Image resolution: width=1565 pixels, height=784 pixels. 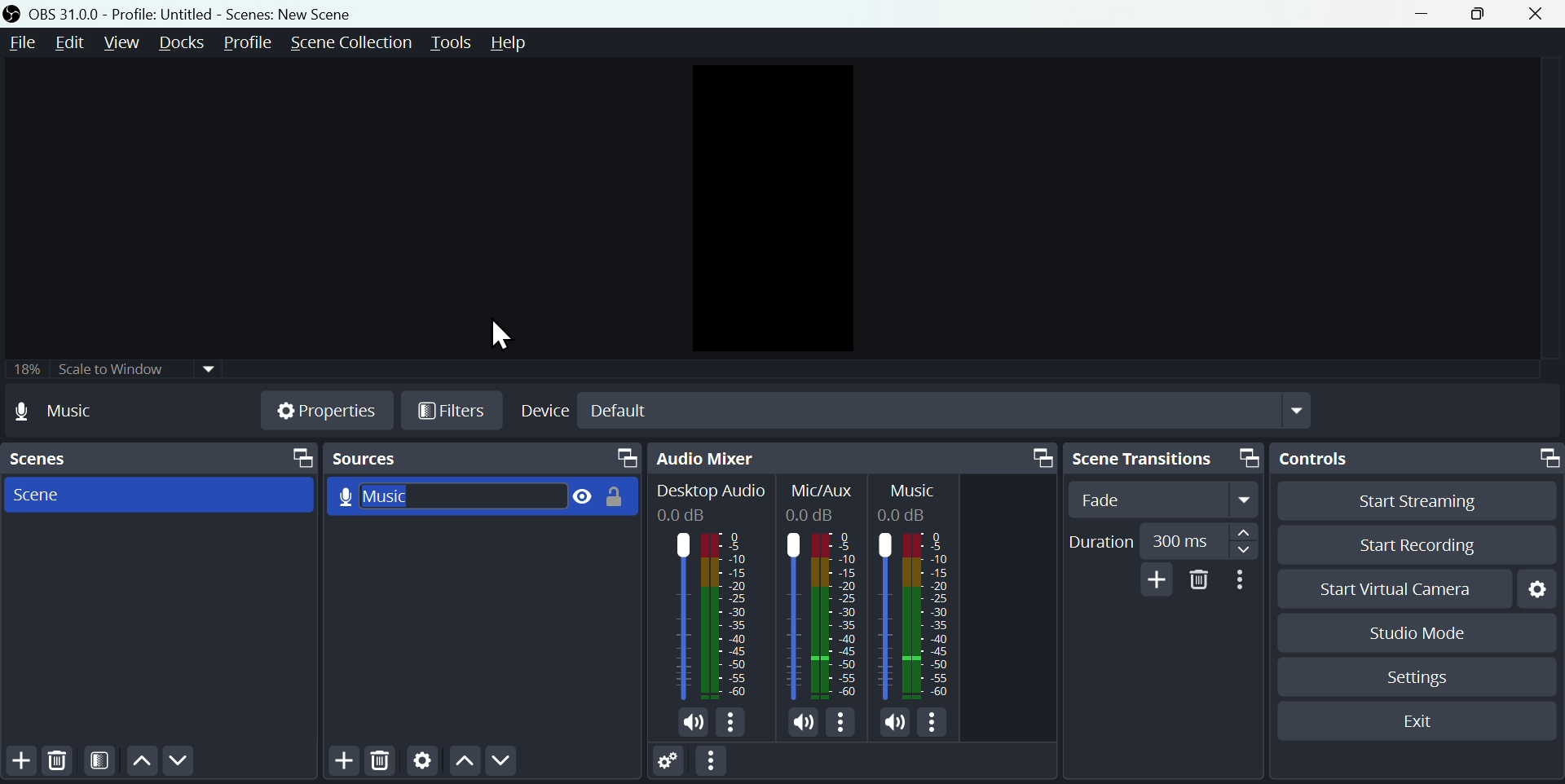 I want to click on close, so click(x=1540, y=12).